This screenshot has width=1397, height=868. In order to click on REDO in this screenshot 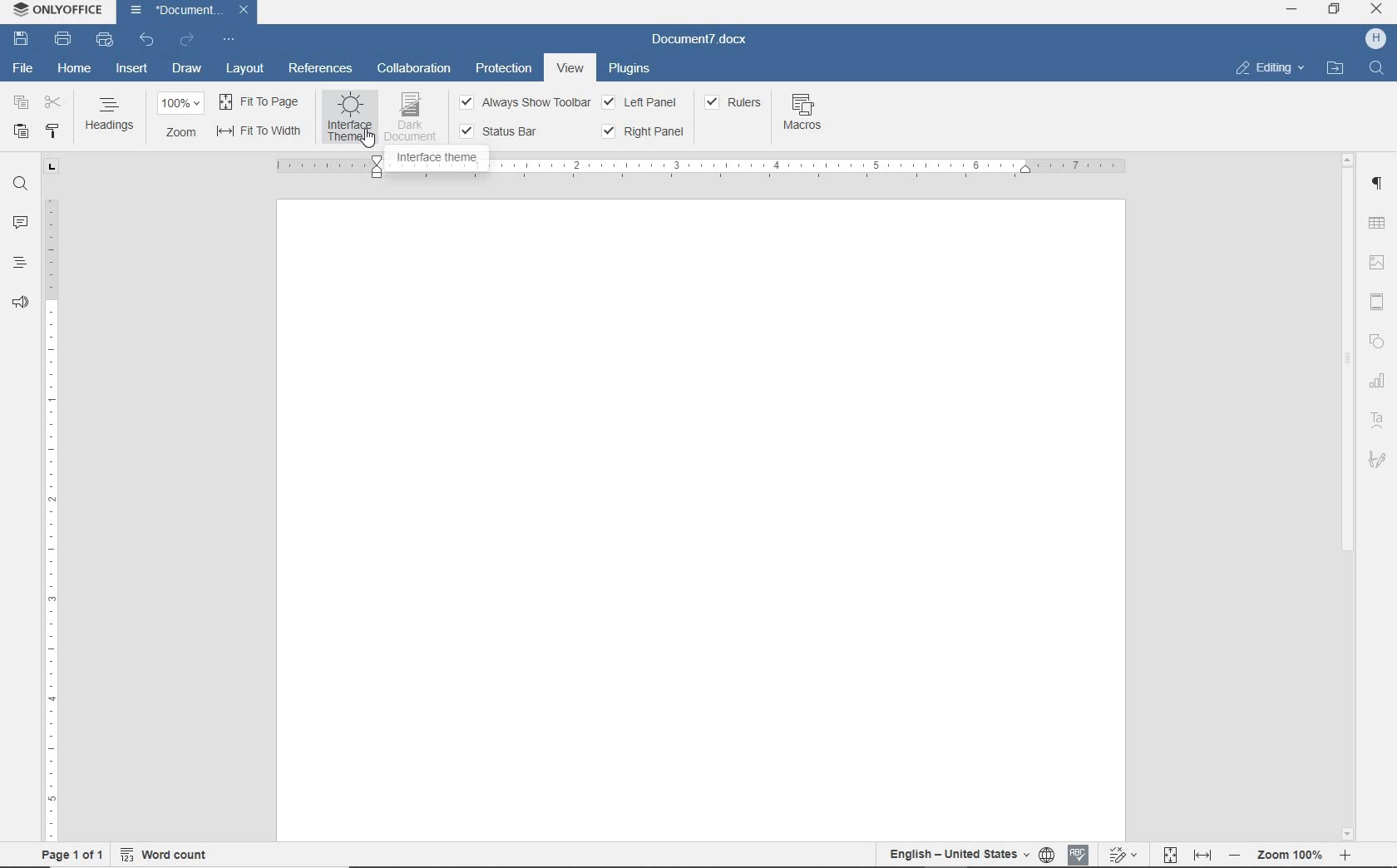, I will do `click(188, 42)`.